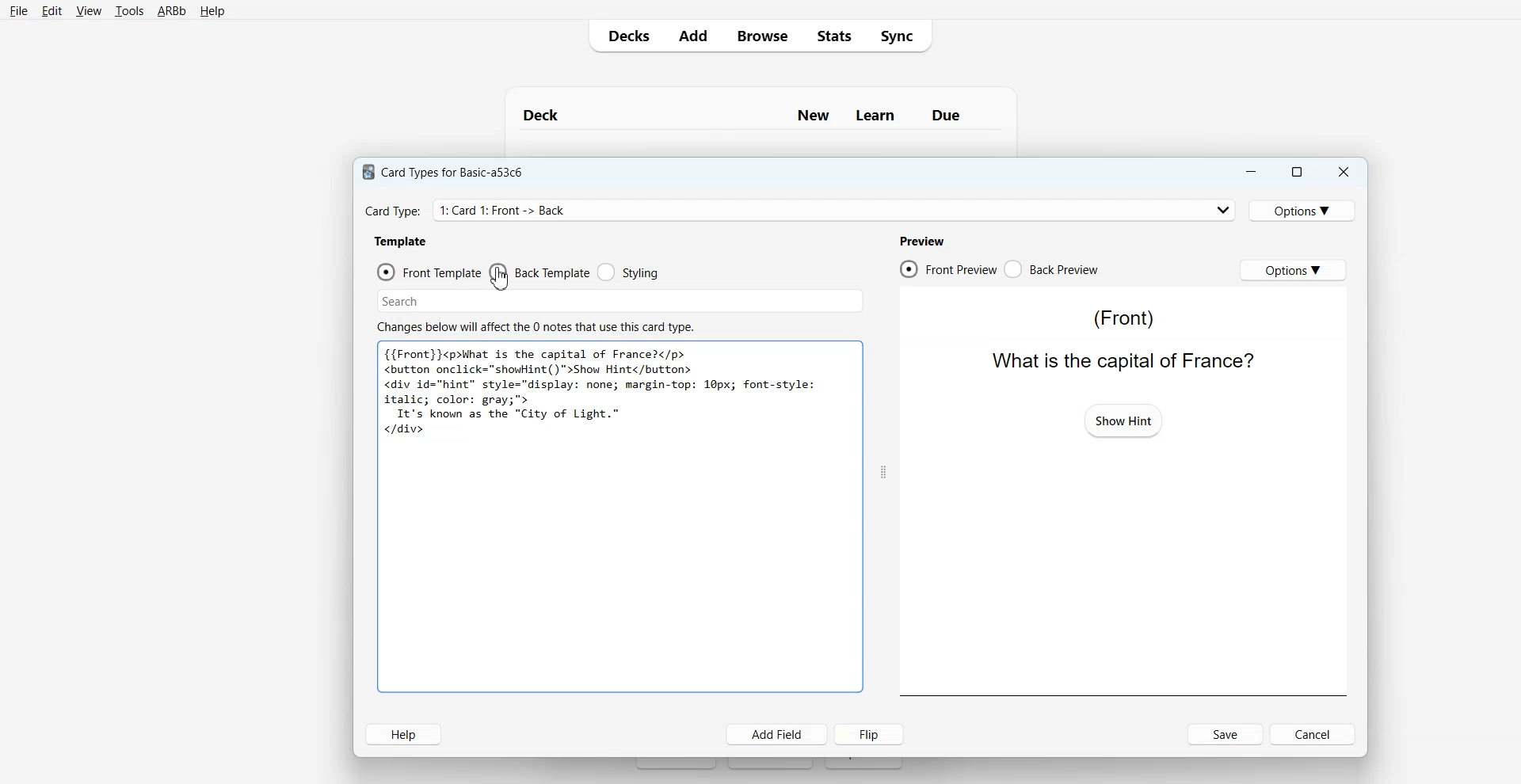 The height and width of the screenshot is (784, 1521). What do you see at coordinates (18, 10) in the screenshot?
I see `File` at bounding box center [18, 10].